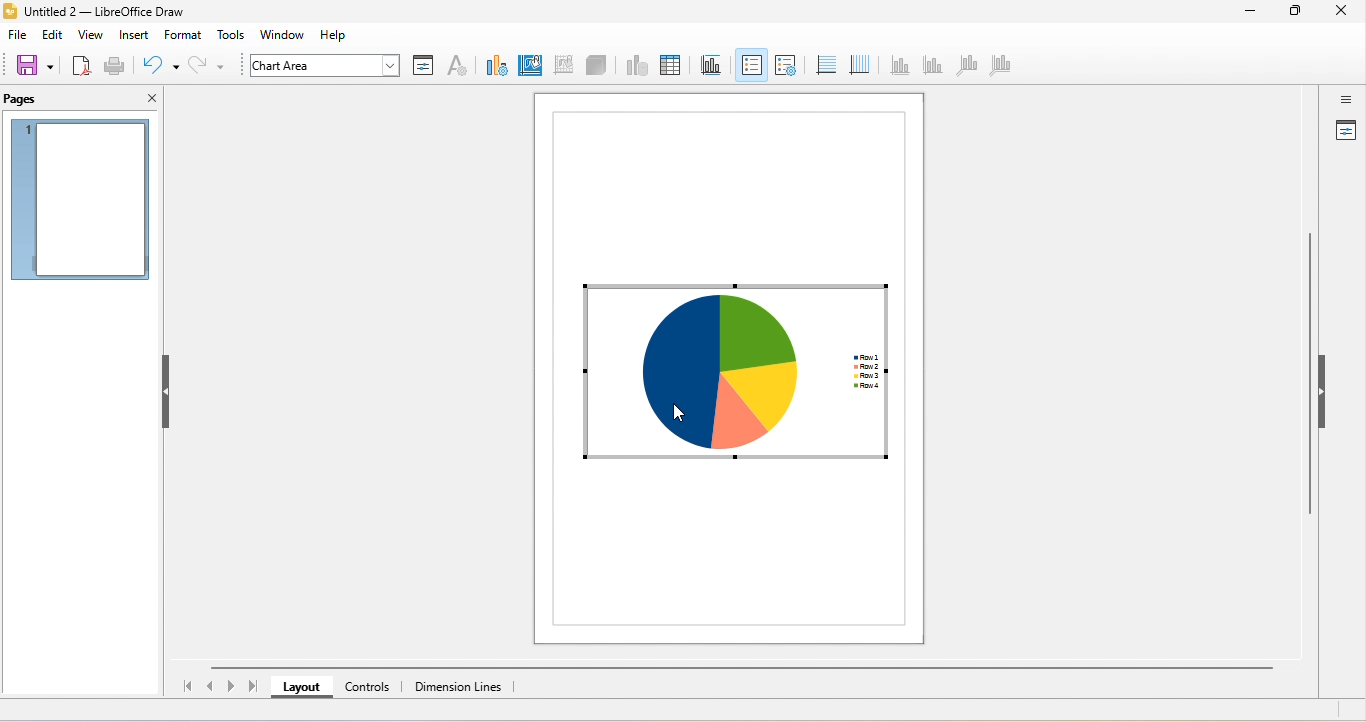  I want to click on format background, so click(529, 65).